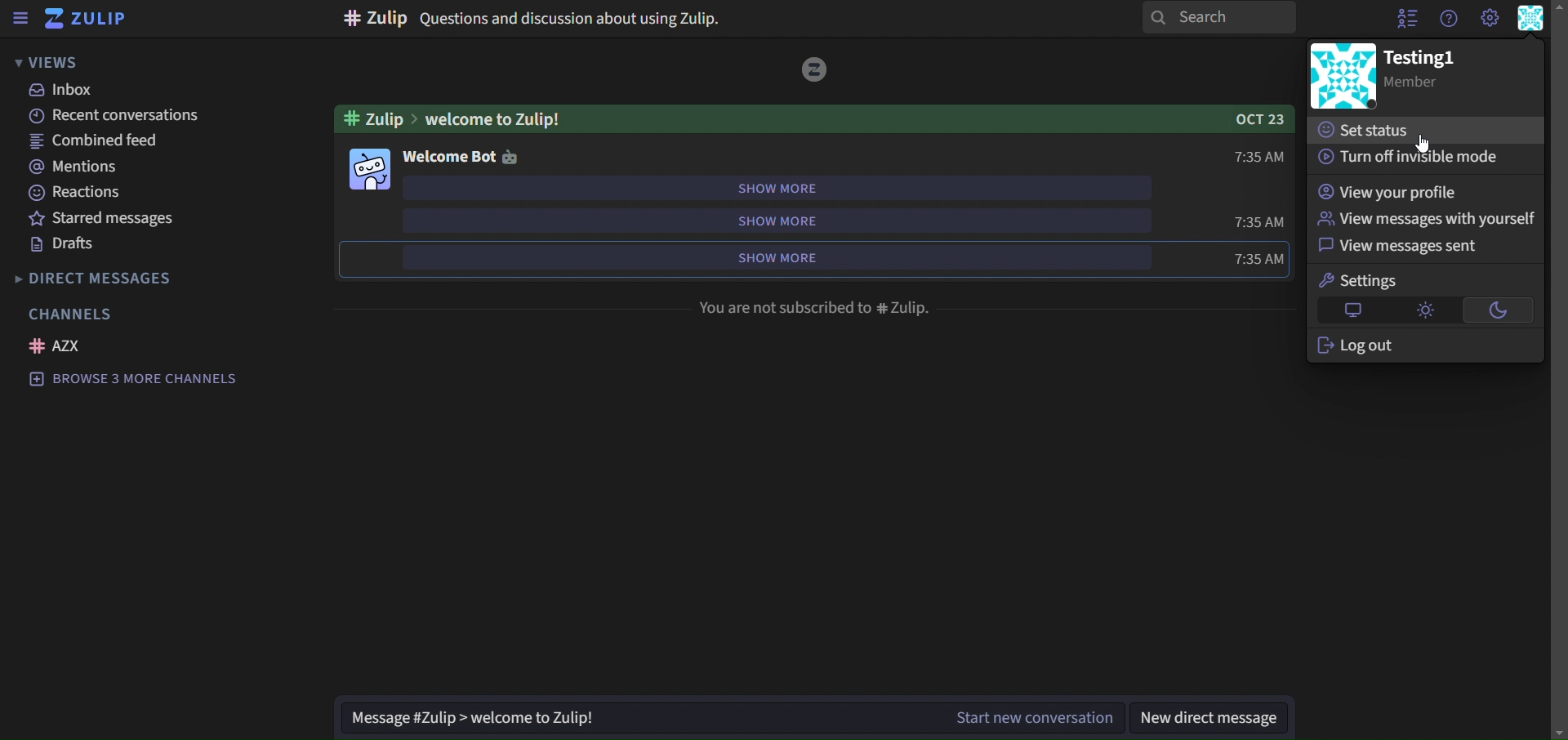  What do you see at coordinates (1032, 718) in the screenshot?
I see `start new conversation` at bounding box center [1032, 718].